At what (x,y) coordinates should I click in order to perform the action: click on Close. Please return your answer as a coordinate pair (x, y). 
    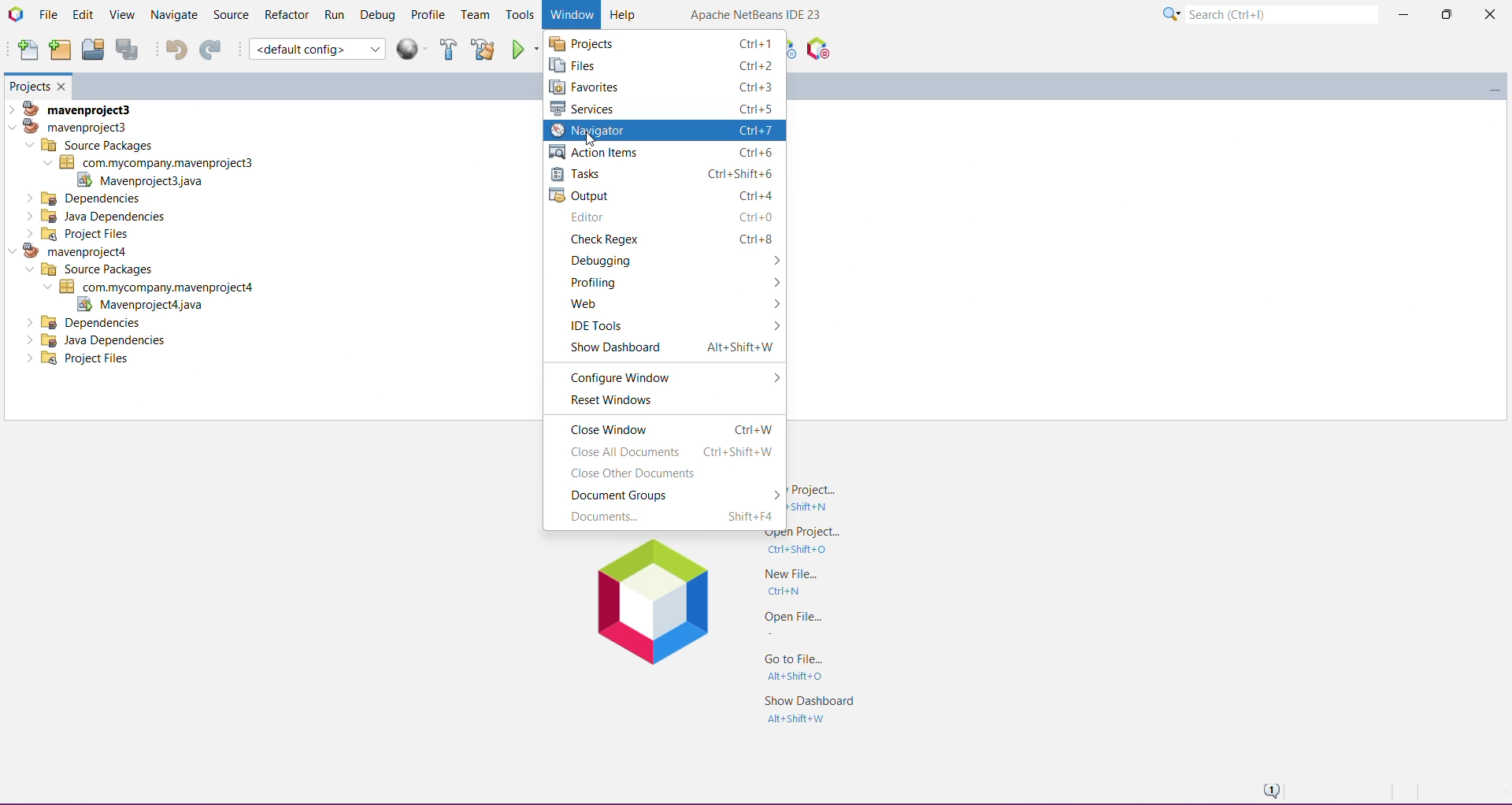
    Looking at the image, I should click on (1488, 17).